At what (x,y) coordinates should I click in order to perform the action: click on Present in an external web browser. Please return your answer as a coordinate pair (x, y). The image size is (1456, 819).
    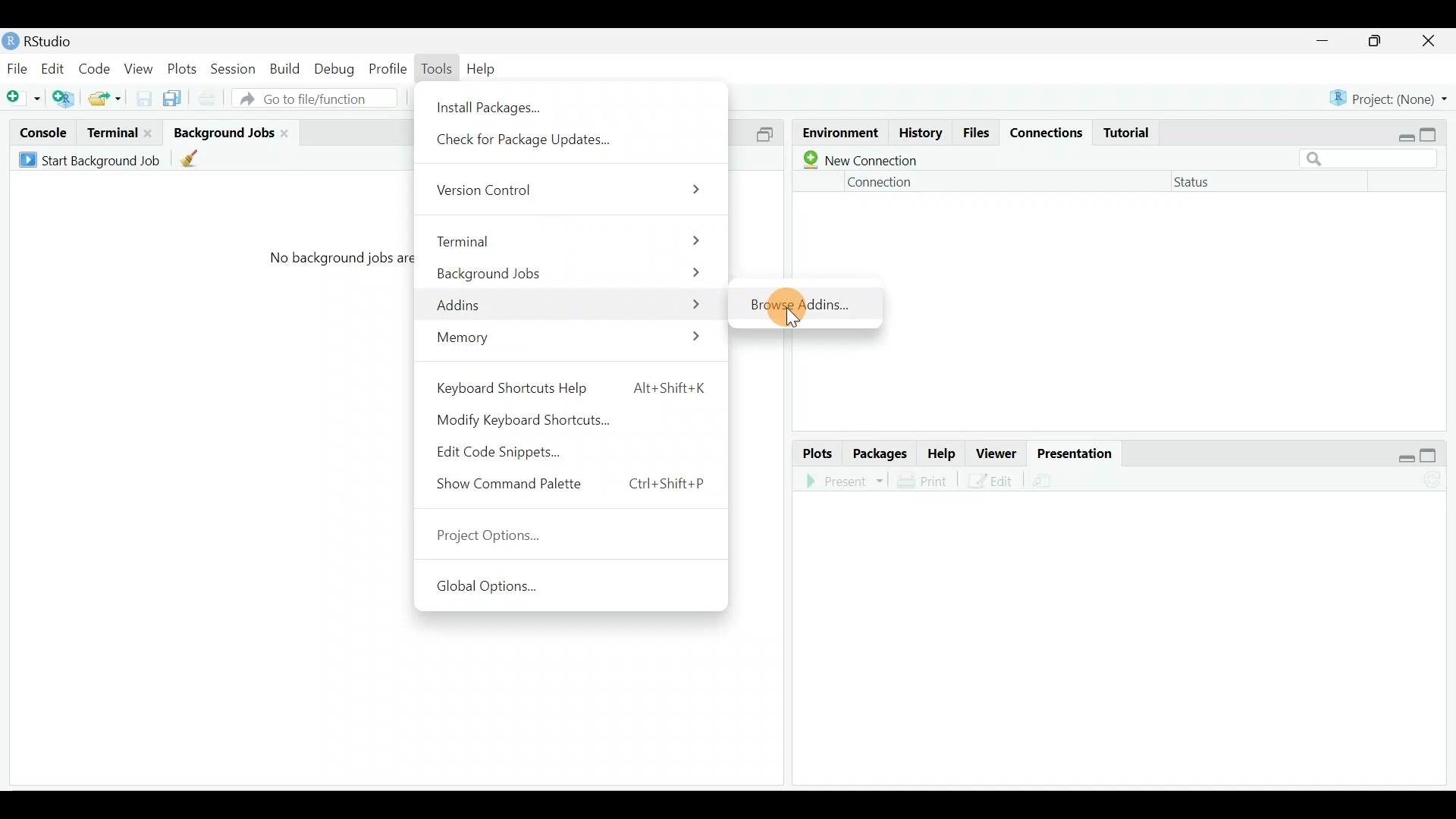
    Looking at the image, I should click on (1048, 479).